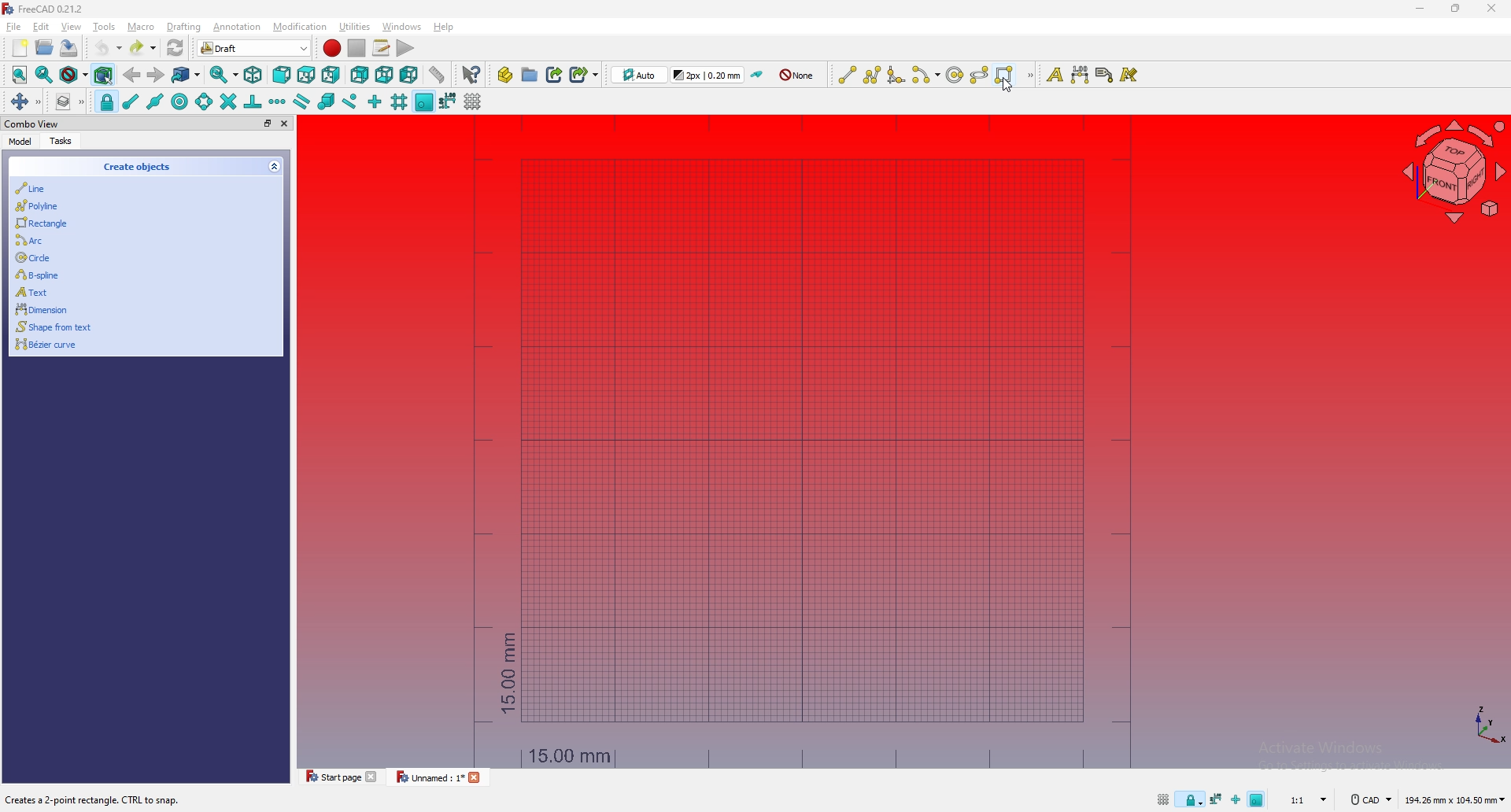 The width and height of the screenshot is (1511, 812). I want to click on right, so click(331, 76).